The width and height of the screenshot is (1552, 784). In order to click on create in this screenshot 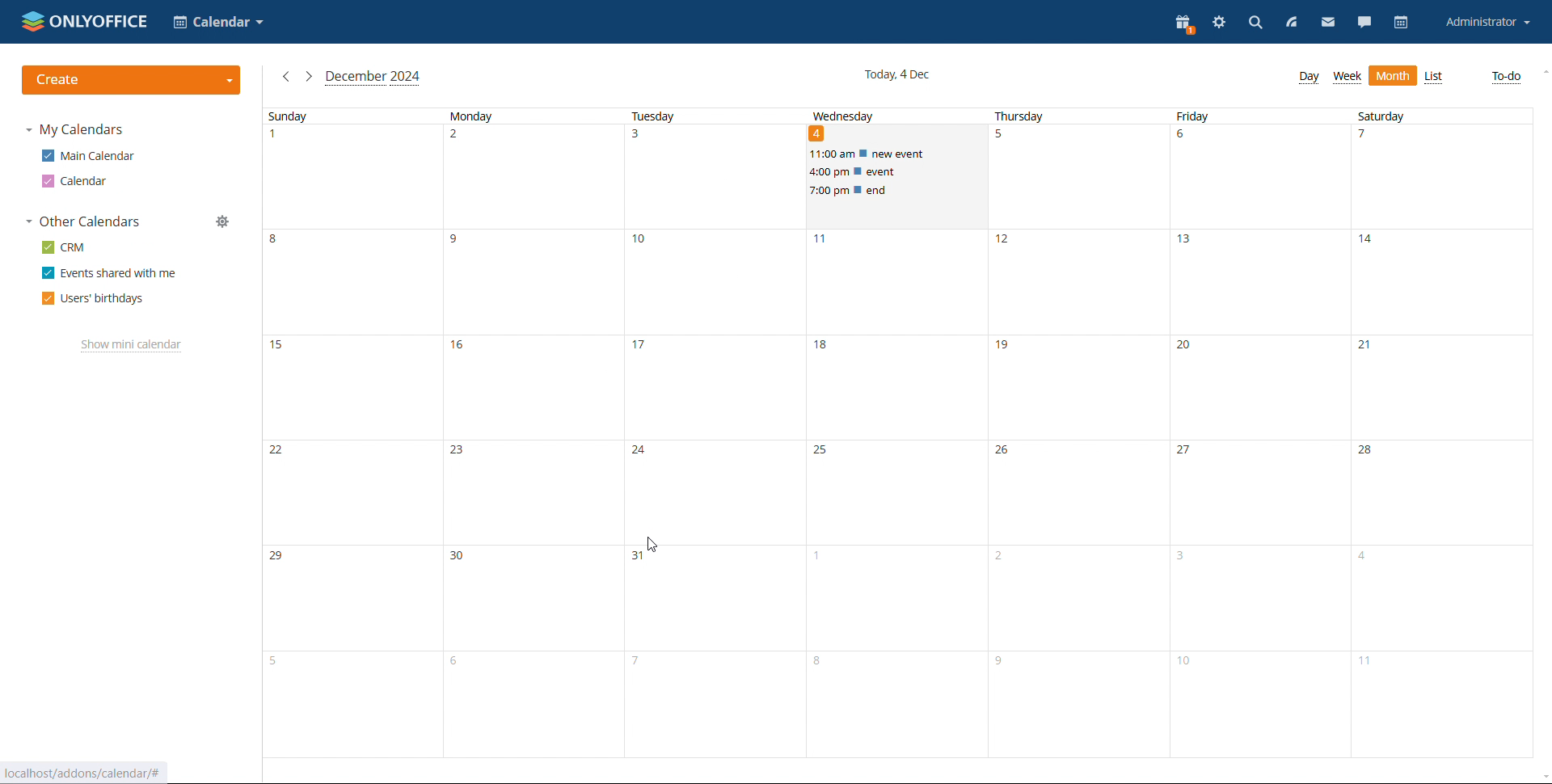, I will do `click(132, 80)`.